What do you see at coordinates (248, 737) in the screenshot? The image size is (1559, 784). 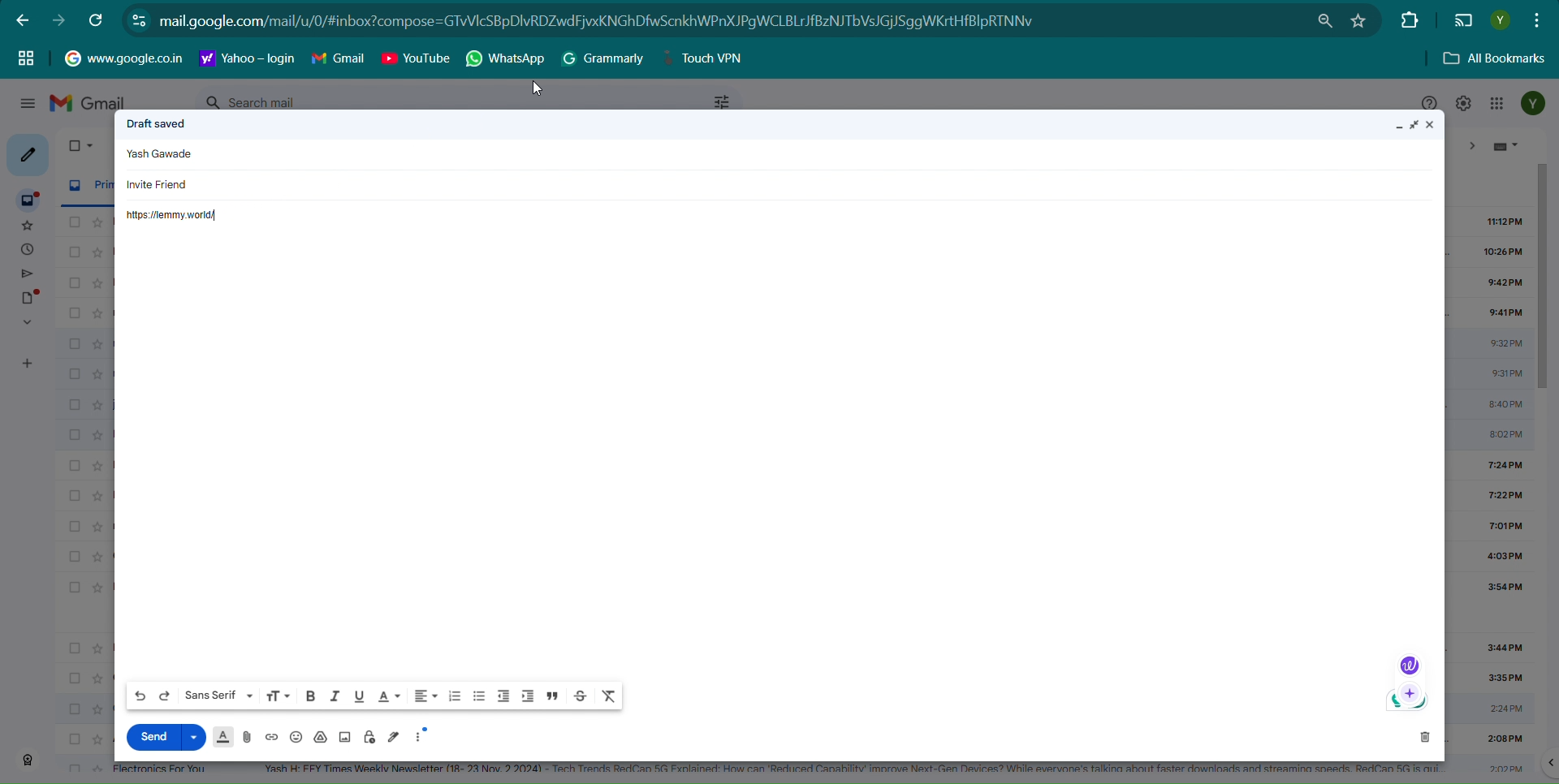 I see `Attached files` at bounding box center [248, 737].